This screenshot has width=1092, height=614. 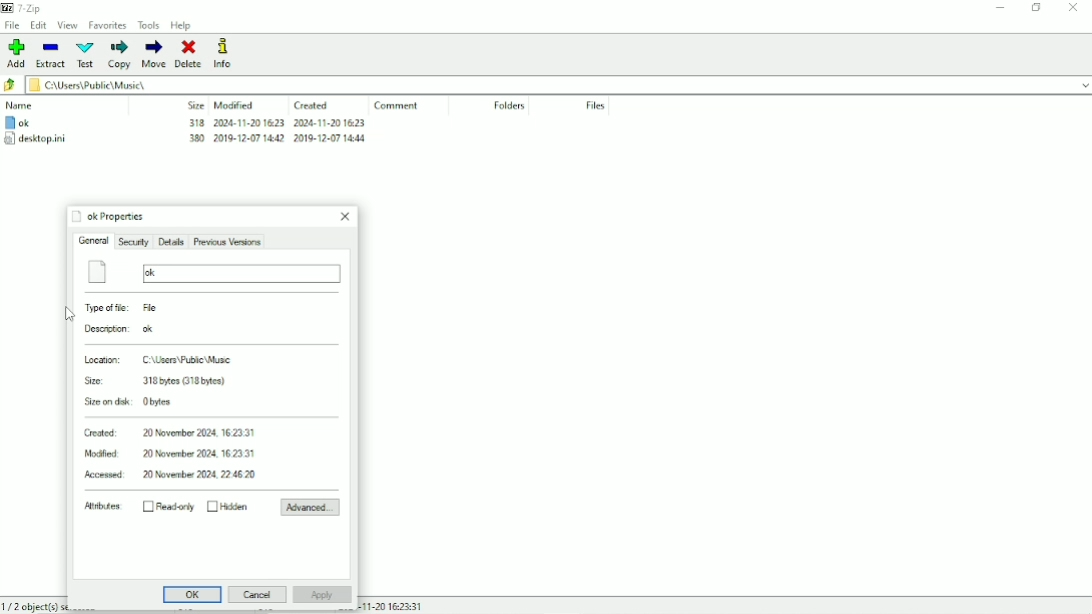 What do you see at coordinates (510, 105) in the screenshot?
I see `Folders` at bounding box center [510, 105].